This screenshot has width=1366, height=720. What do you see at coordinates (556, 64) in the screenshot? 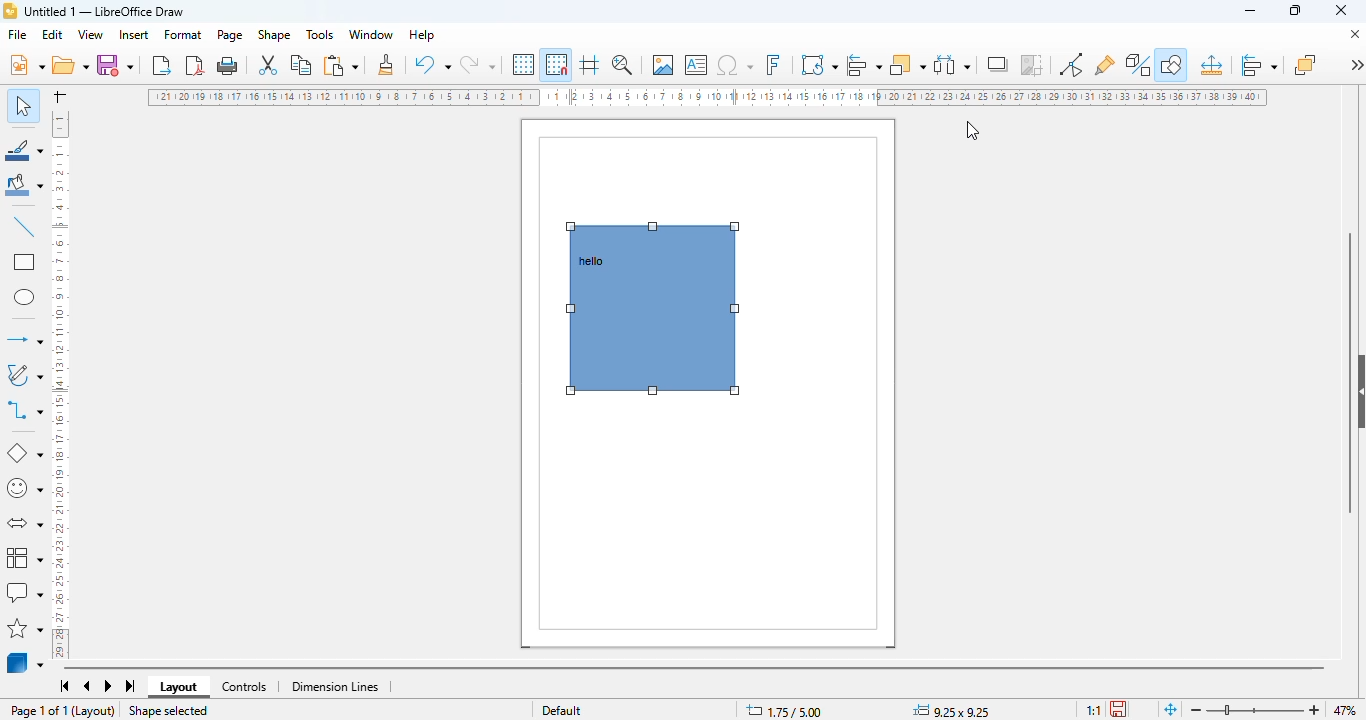
I see `snap to grid` at bounding box center [556, 64].